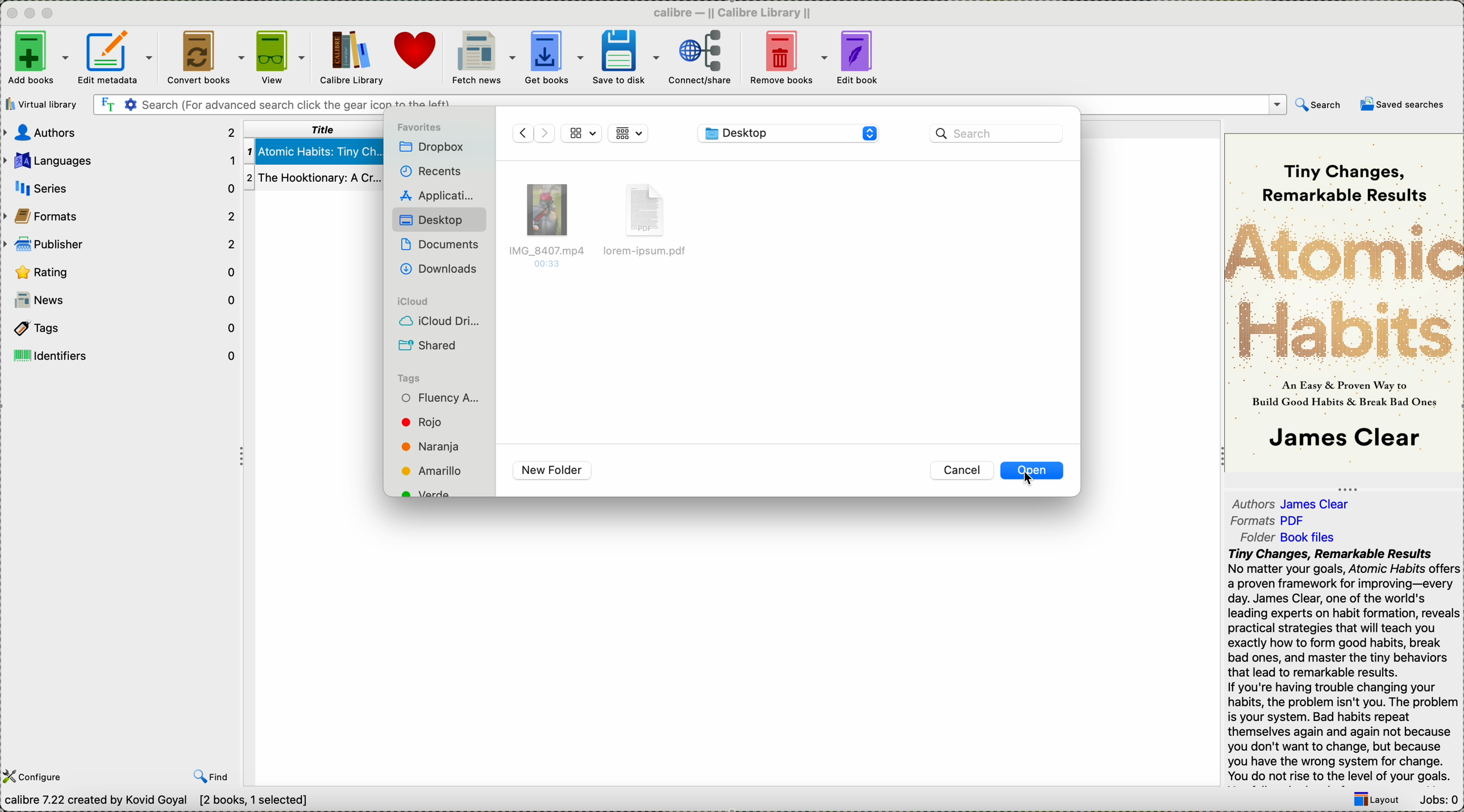 This screenshot has height=812, width=1464. What do you see at coordinates (50, 13) in the screenshot?
I see `maximize` at bounding box center [50, 13].